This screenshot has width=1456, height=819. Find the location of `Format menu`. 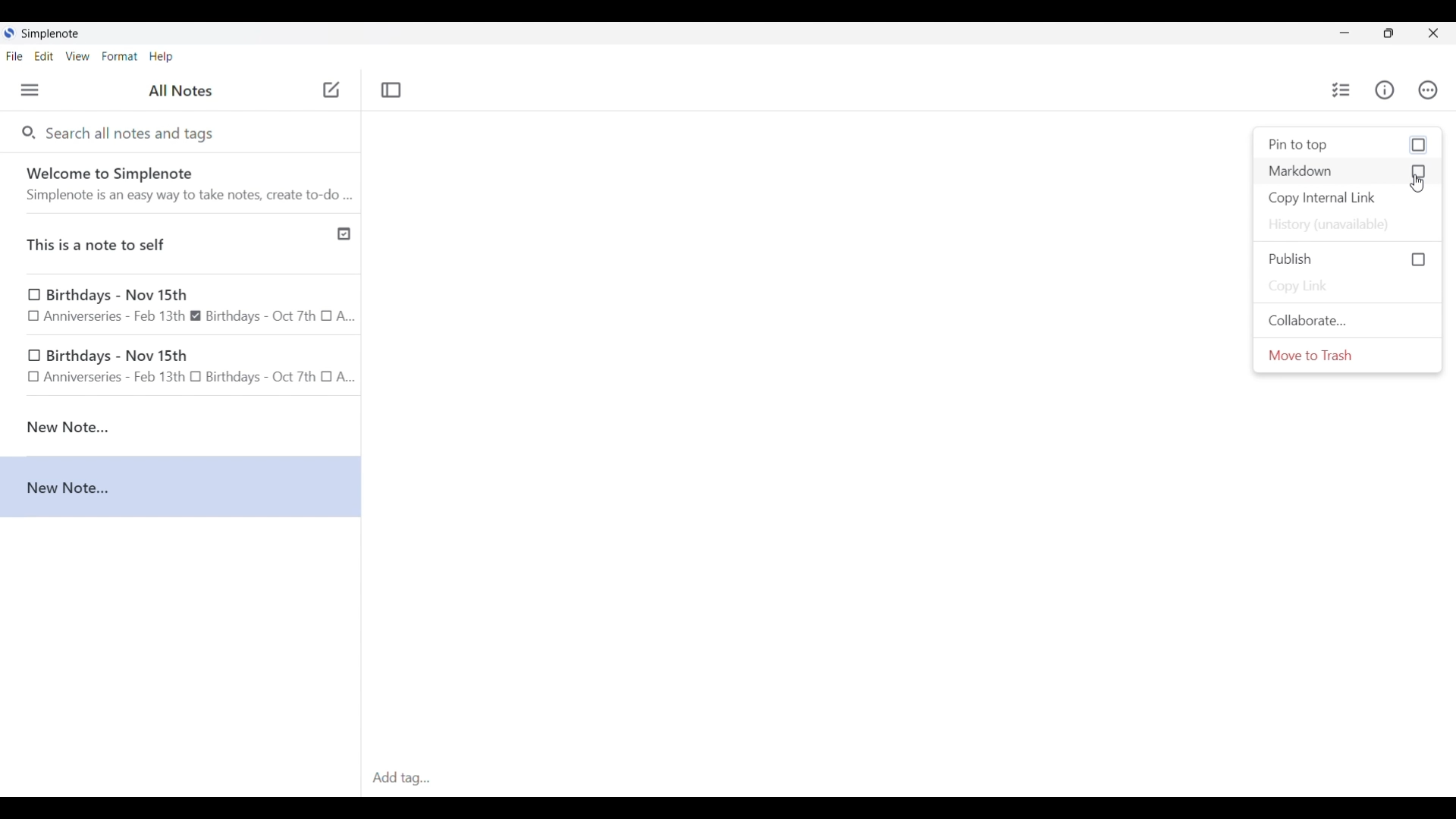

Format menu is located at coordinates (120, 56).